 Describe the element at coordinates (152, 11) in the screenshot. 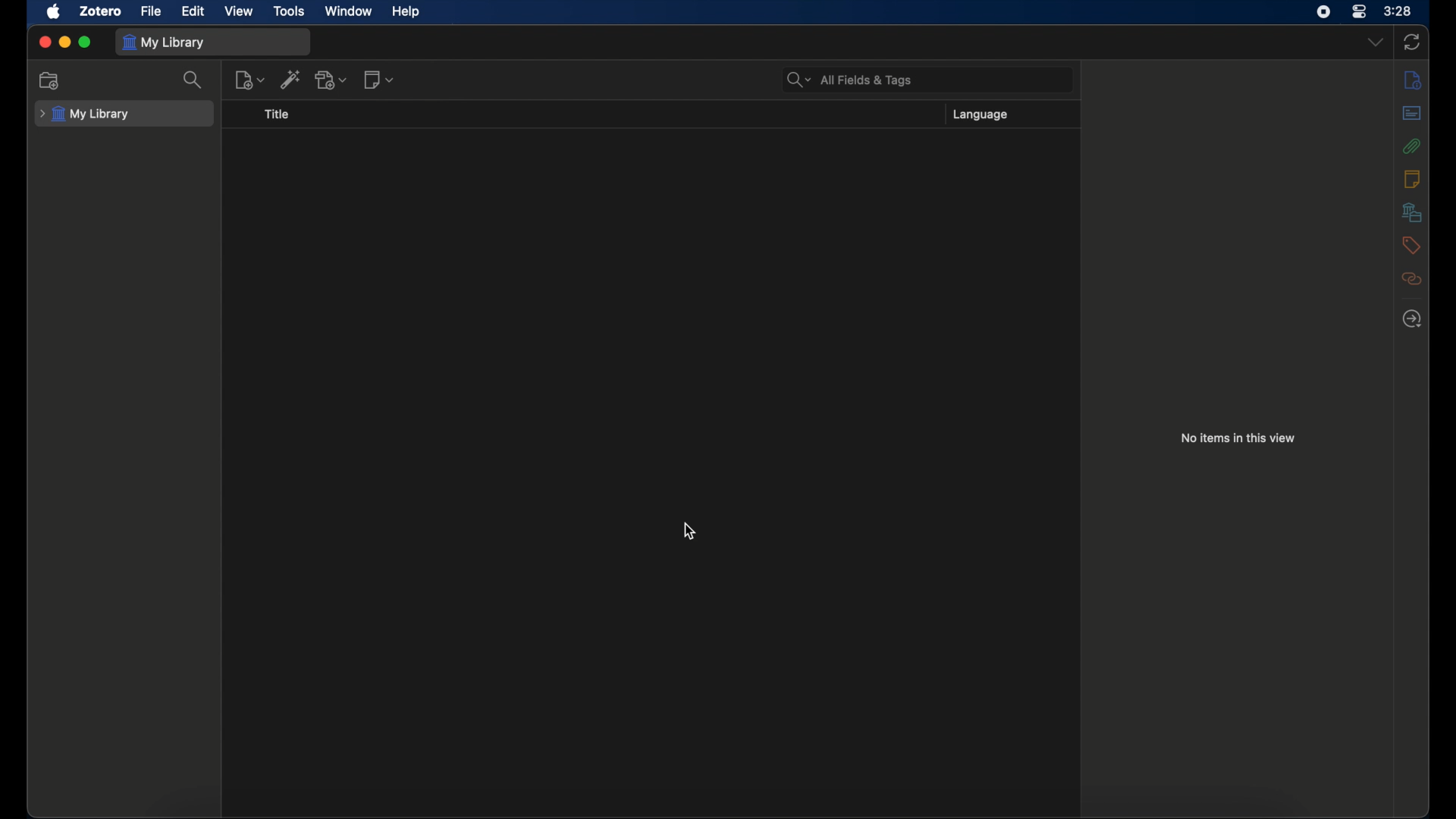

I see `file` at that location.